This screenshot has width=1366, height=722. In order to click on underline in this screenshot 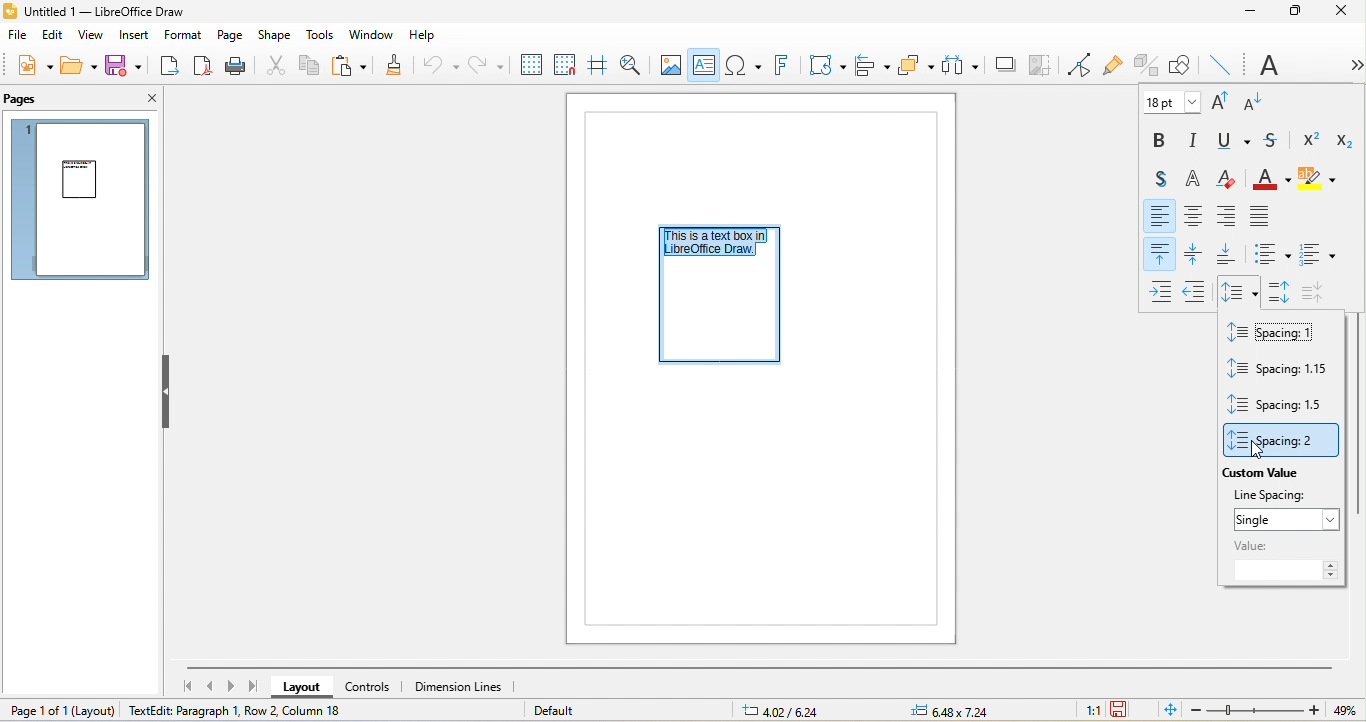, I will do `click(1235, 142)`.